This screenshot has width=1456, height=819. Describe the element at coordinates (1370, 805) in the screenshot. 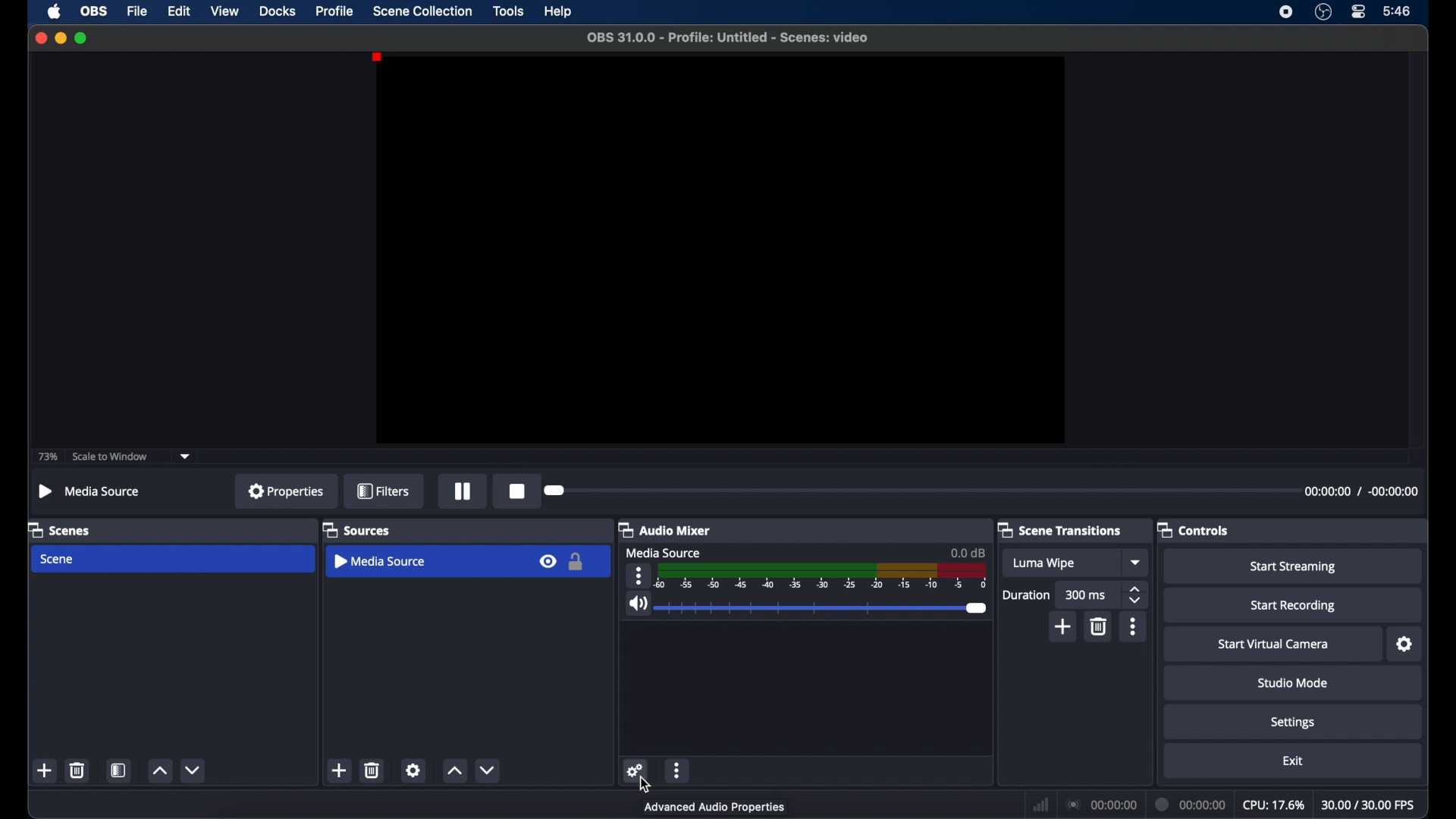

I see `fps` at that location.